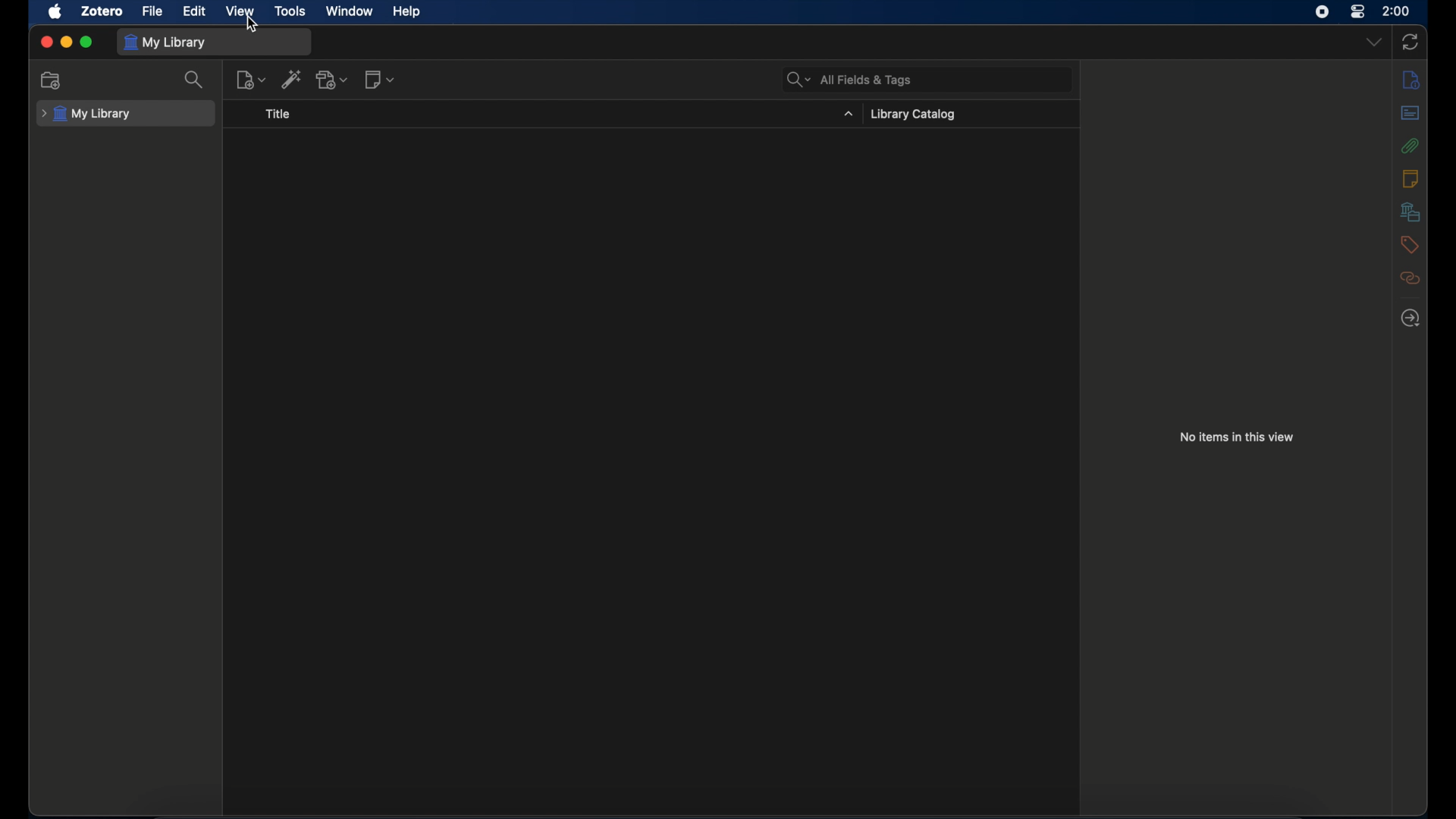 This screenshot has width=1456, height=819. Describe the element at coordinates (1411, 179) in the screenshot. I see `notes` at that location.